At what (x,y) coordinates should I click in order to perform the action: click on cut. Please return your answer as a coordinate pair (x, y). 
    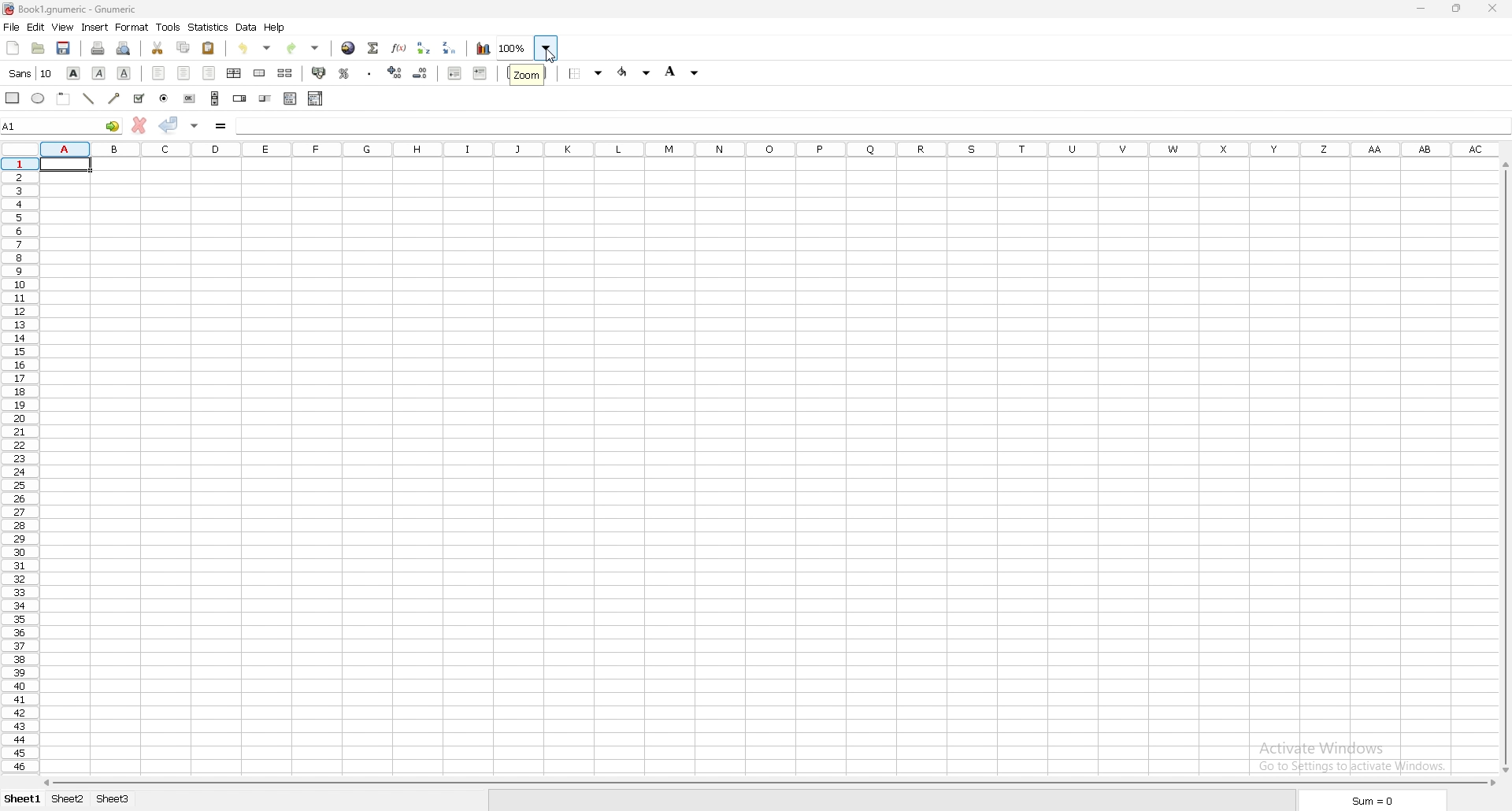
    Looking at the image, I should click on (158, 47).